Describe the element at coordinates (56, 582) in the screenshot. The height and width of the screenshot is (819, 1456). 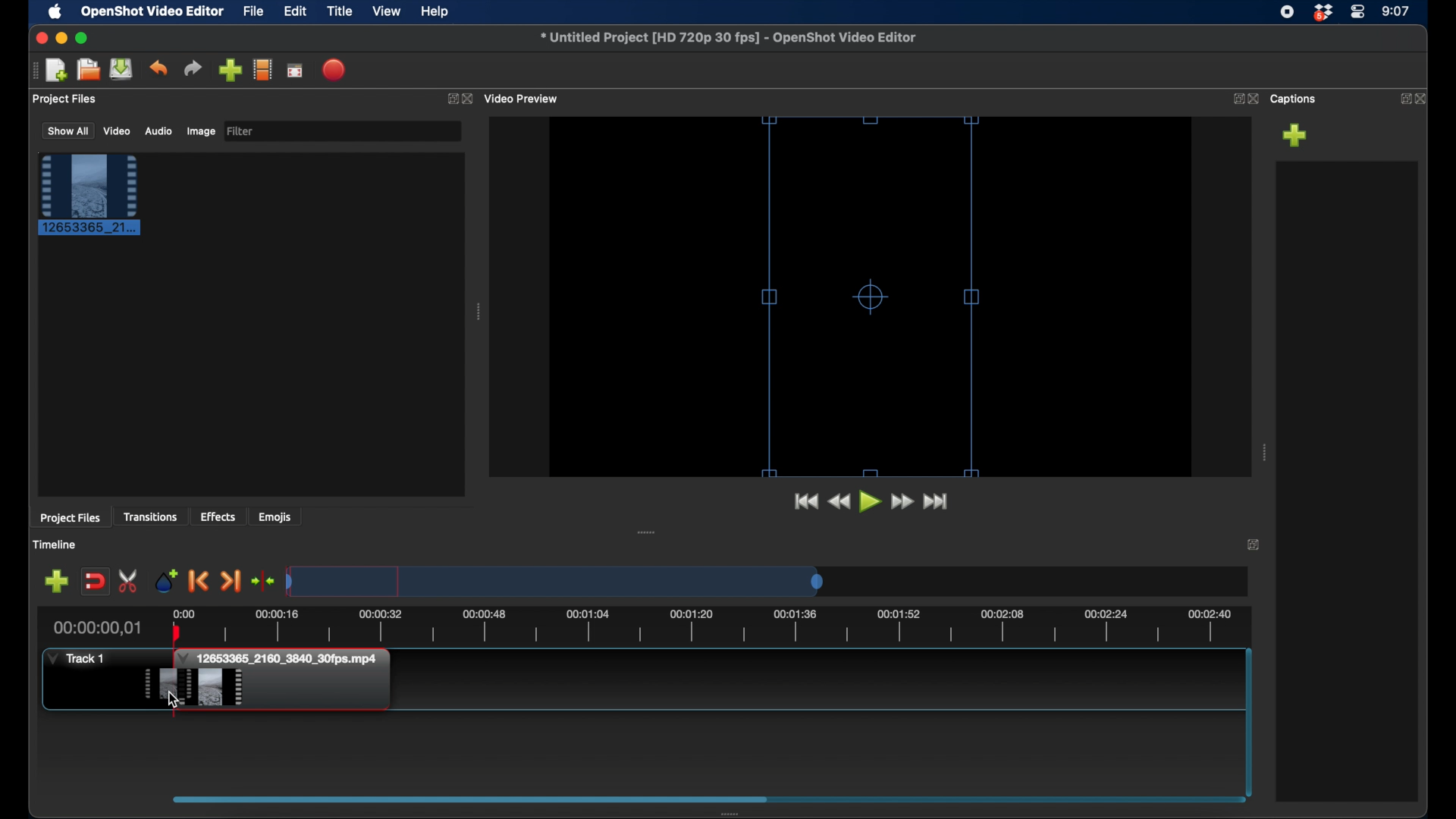
I see `add marker` at that location.